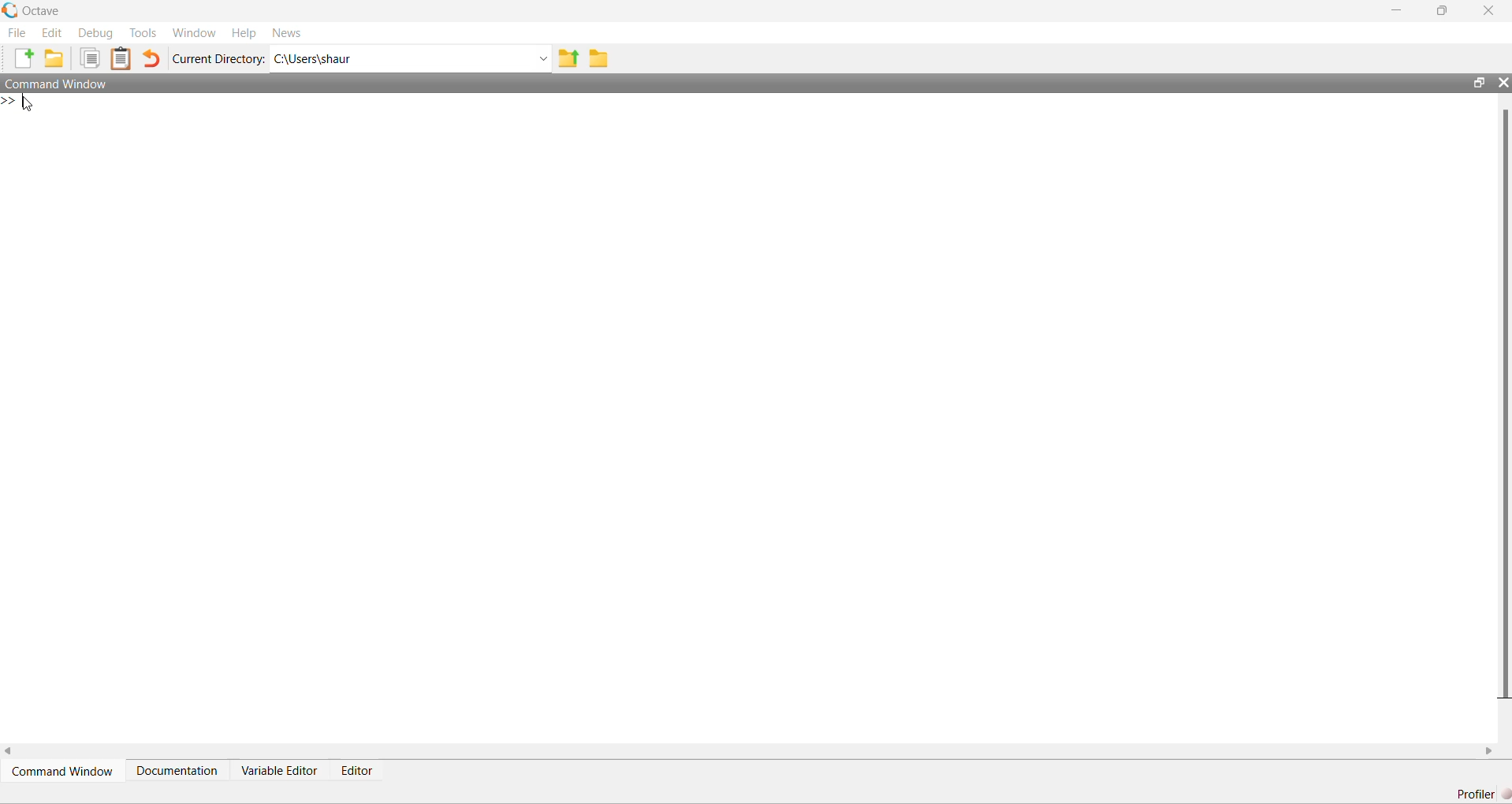 This screenshot has width=1512, height=804. I want to click on scroll right, so click(1490, 751).